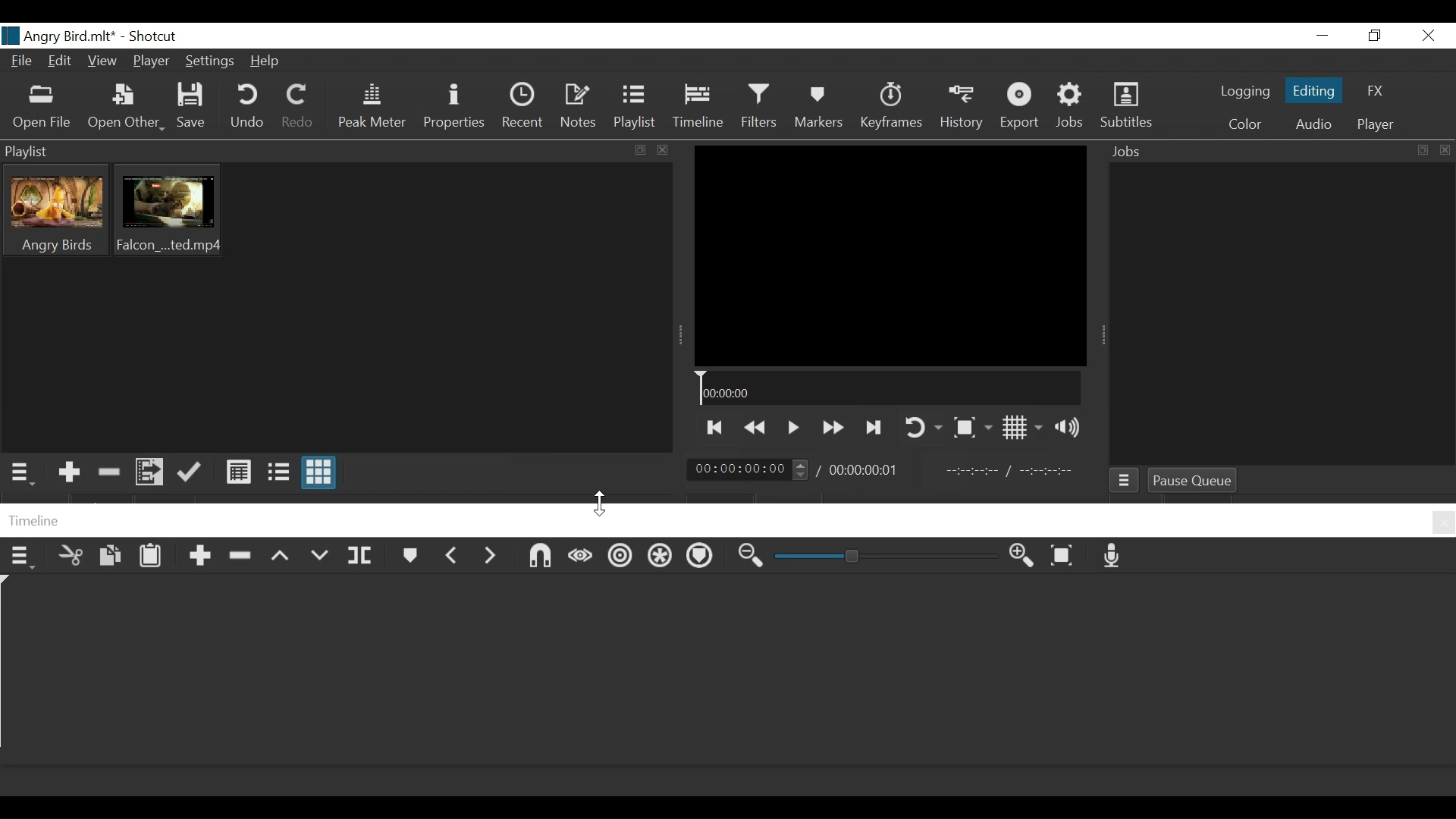 This screenshot has height=819, width=1456. What do you see at coordinates (362, 558) in the screenshot?
I see `Split at playhead` at bounding box center [362, 558].